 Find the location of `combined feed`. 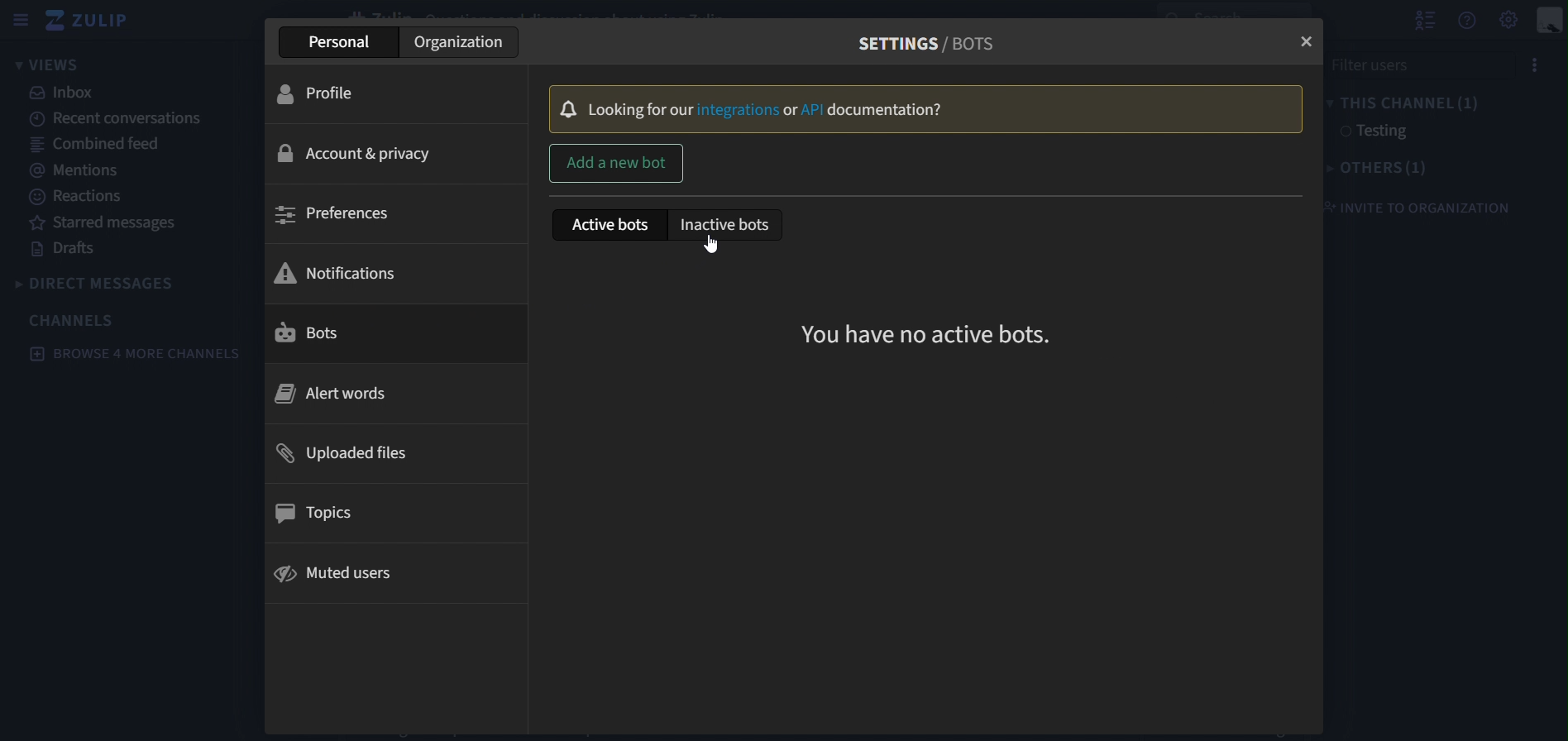

combined feed is located at coordinates (95, 142).